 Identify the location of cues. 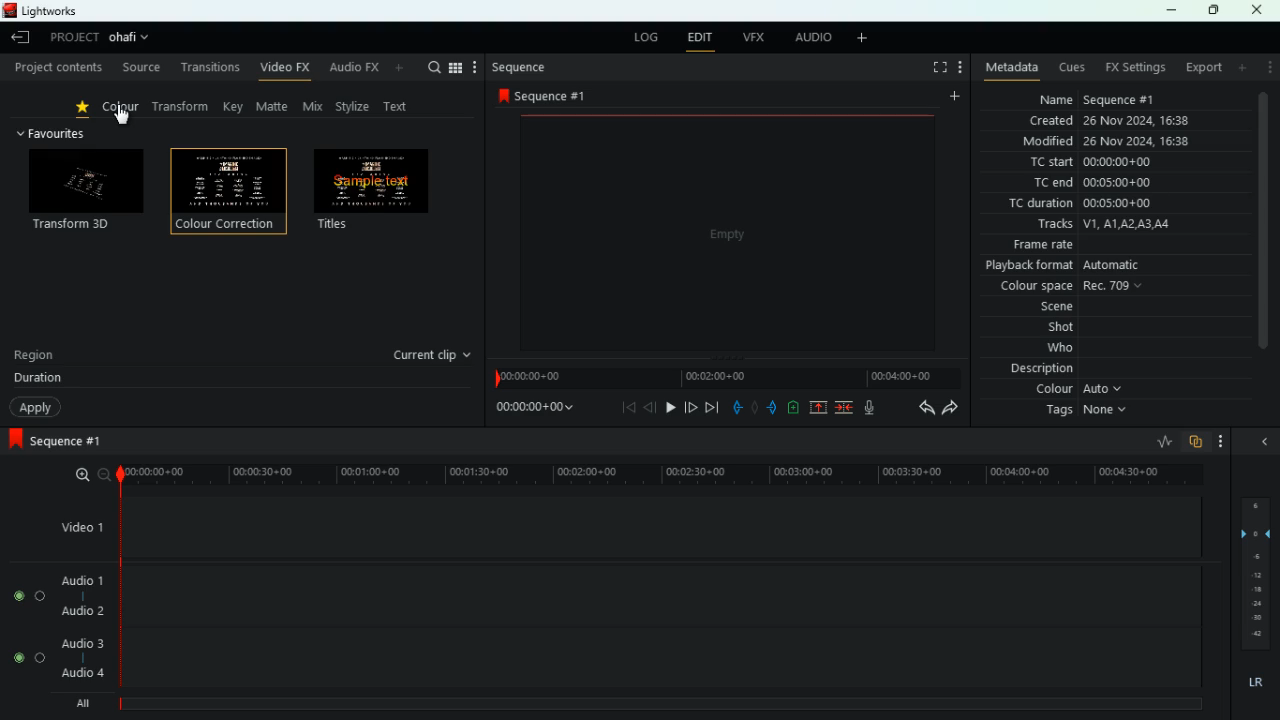
(1073, 68).